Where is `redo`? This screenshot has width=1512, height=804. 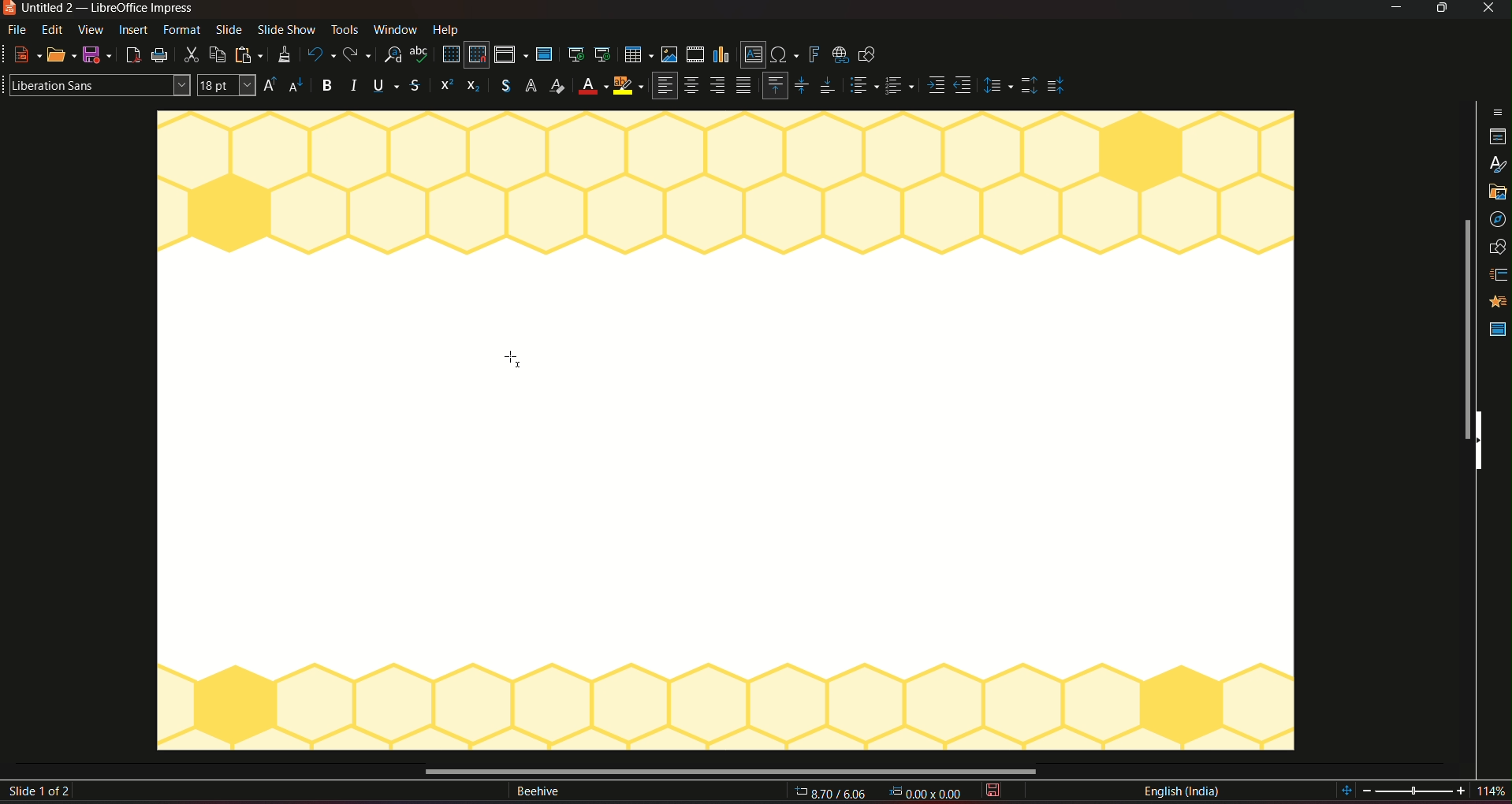 redo is located at coordinates (360, 54).